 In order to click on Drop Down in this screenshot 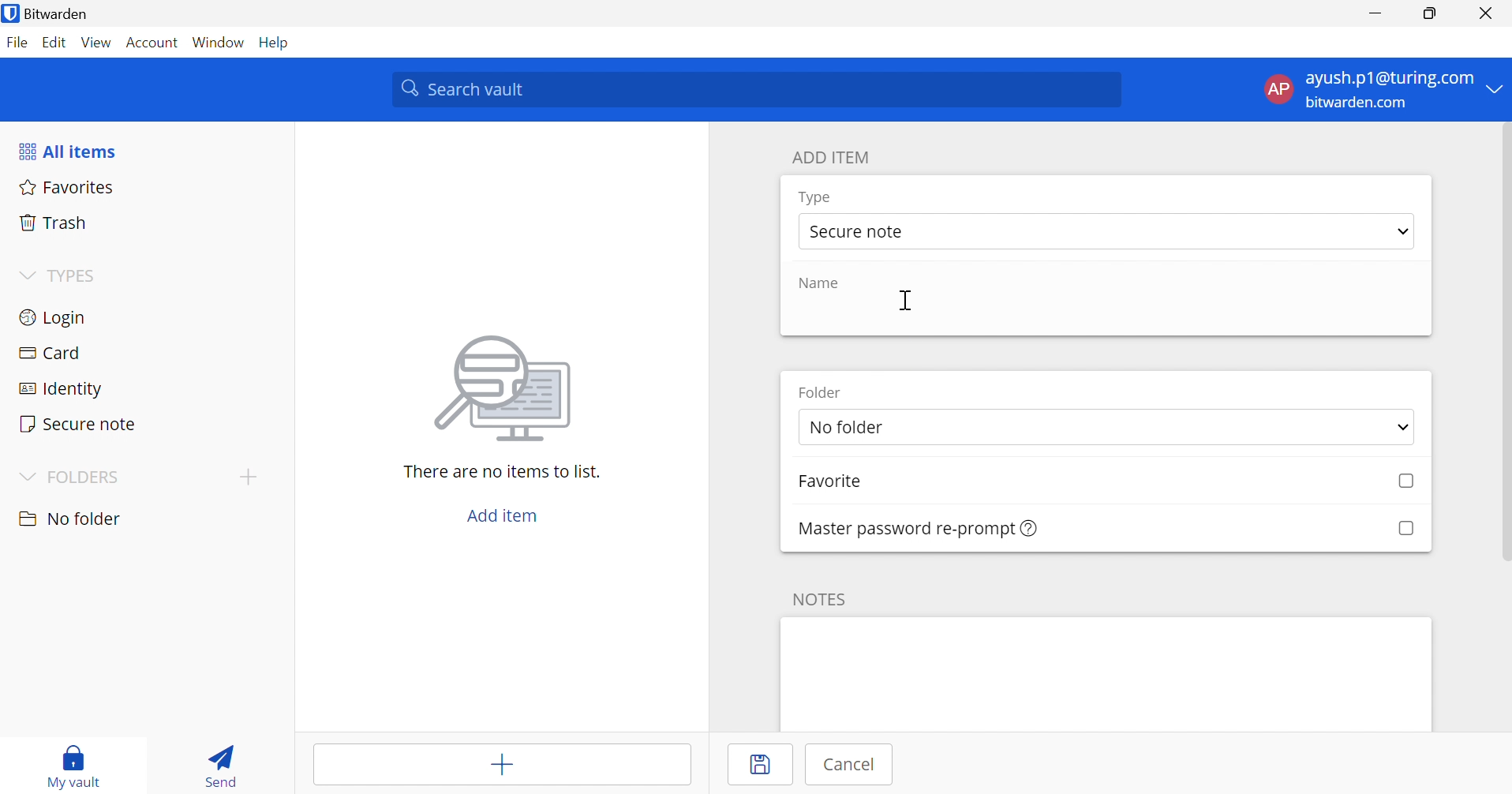, I will do `click(1496, 90)`.